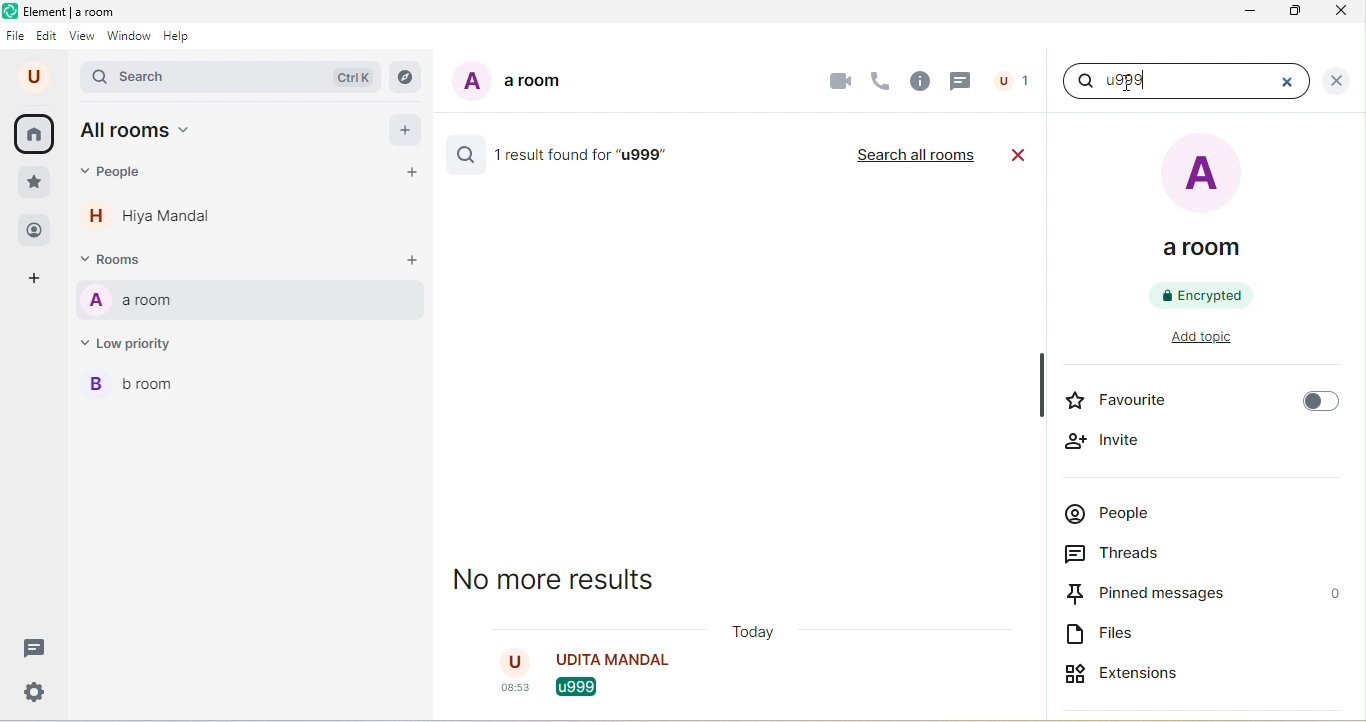 The height and width of the screenshot is (722, 1366). Describe the element at coordinates (962, 81) in the screenshot. I see `threads` at that location.